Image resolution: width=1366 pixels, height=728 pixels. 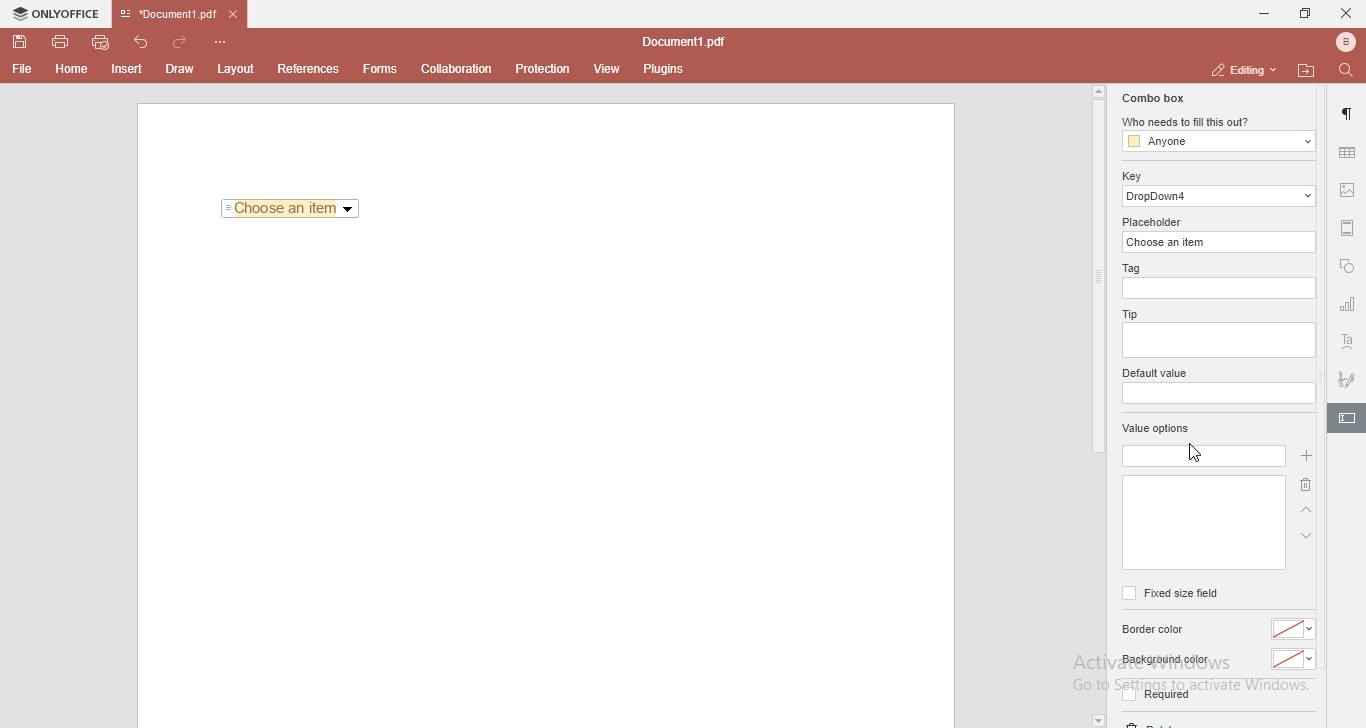 What do you see at coordinates (1347, 152) in the screenshot?
I see `table` at bounding box center [1347, 152].